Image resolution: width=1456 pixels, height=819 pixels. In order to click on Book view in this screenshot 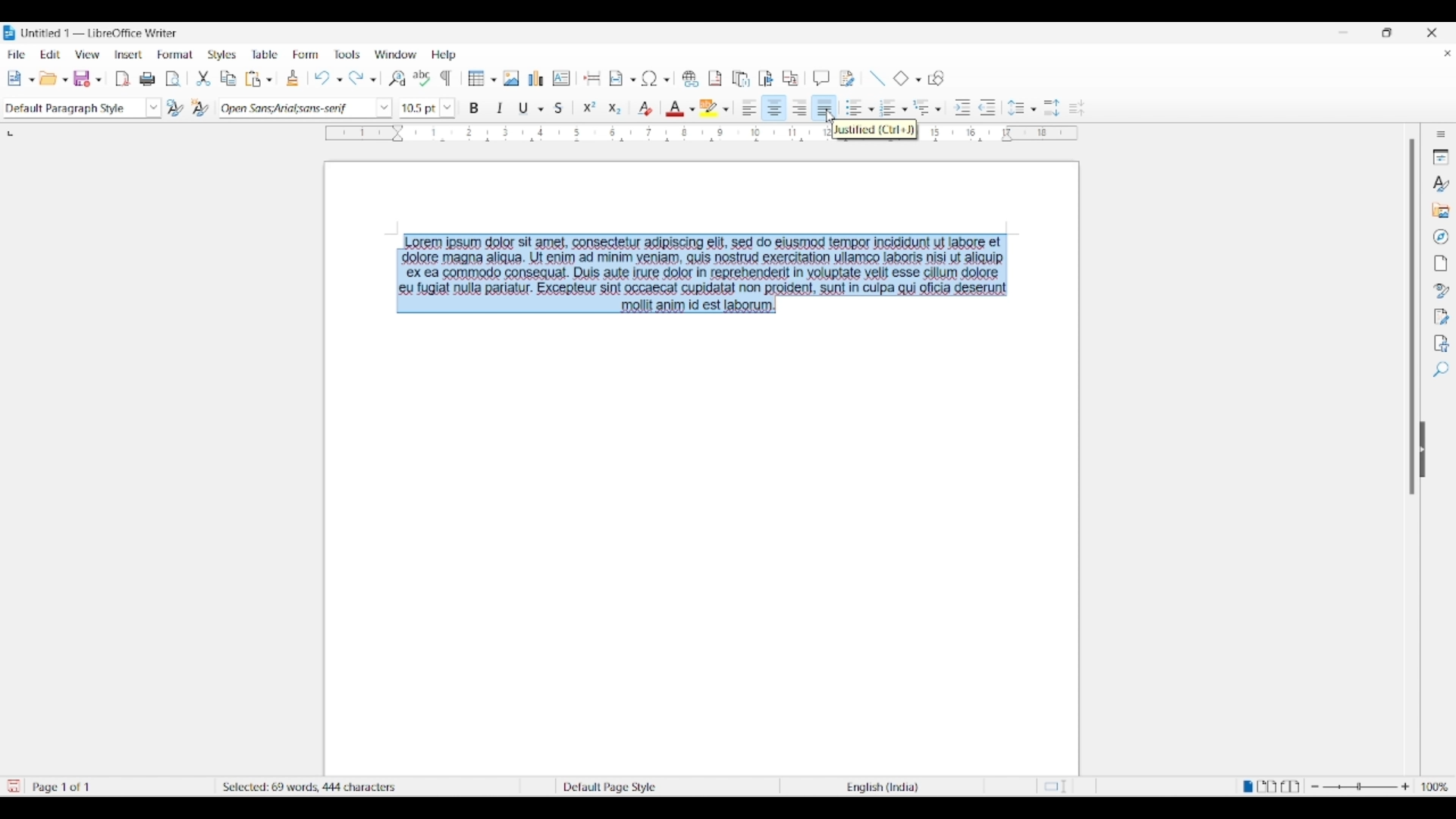, I will do `click(1290, 786)`.